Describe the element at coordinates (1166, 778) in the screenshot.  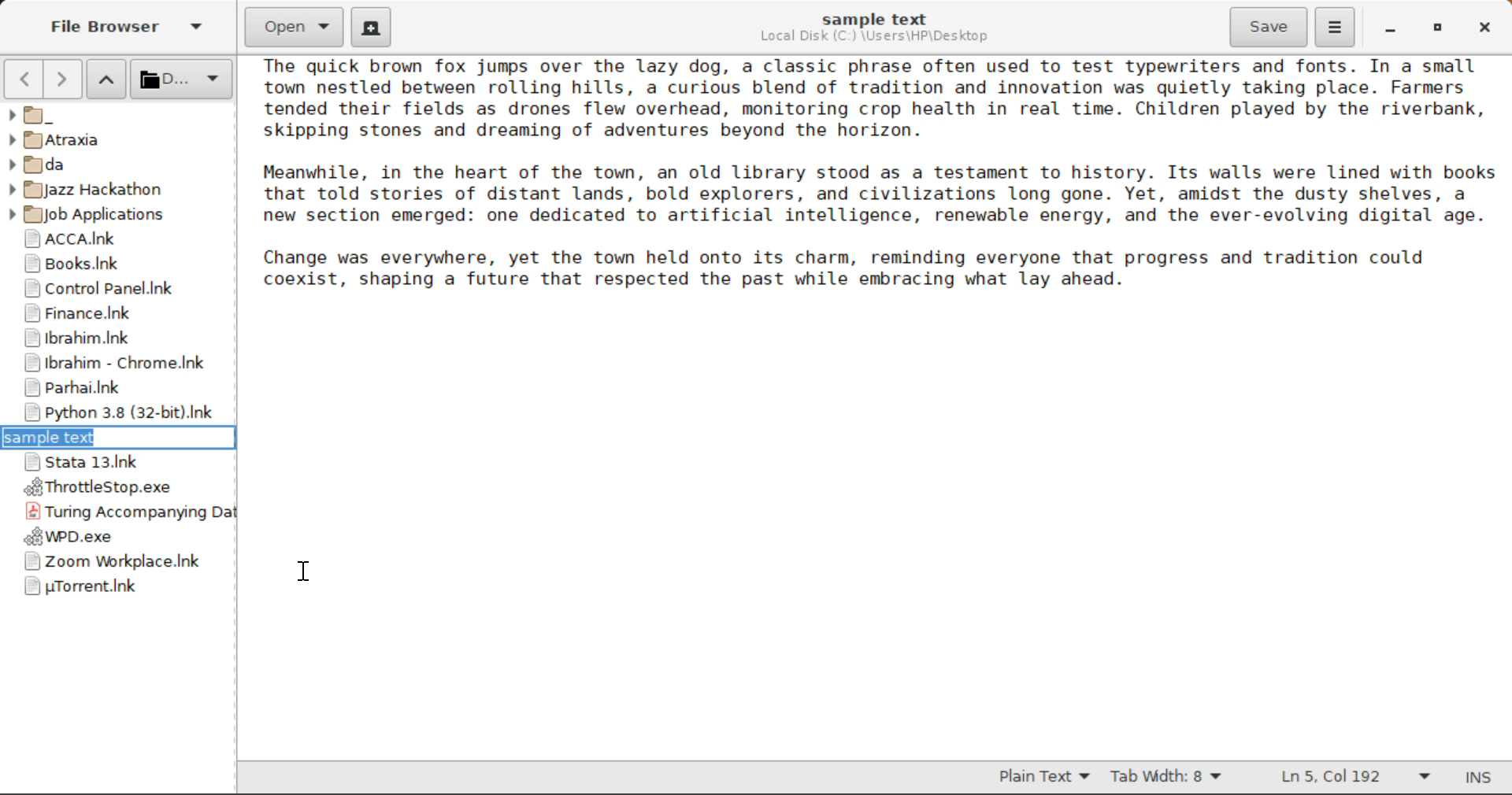
I see `Tab Width ` at that location.